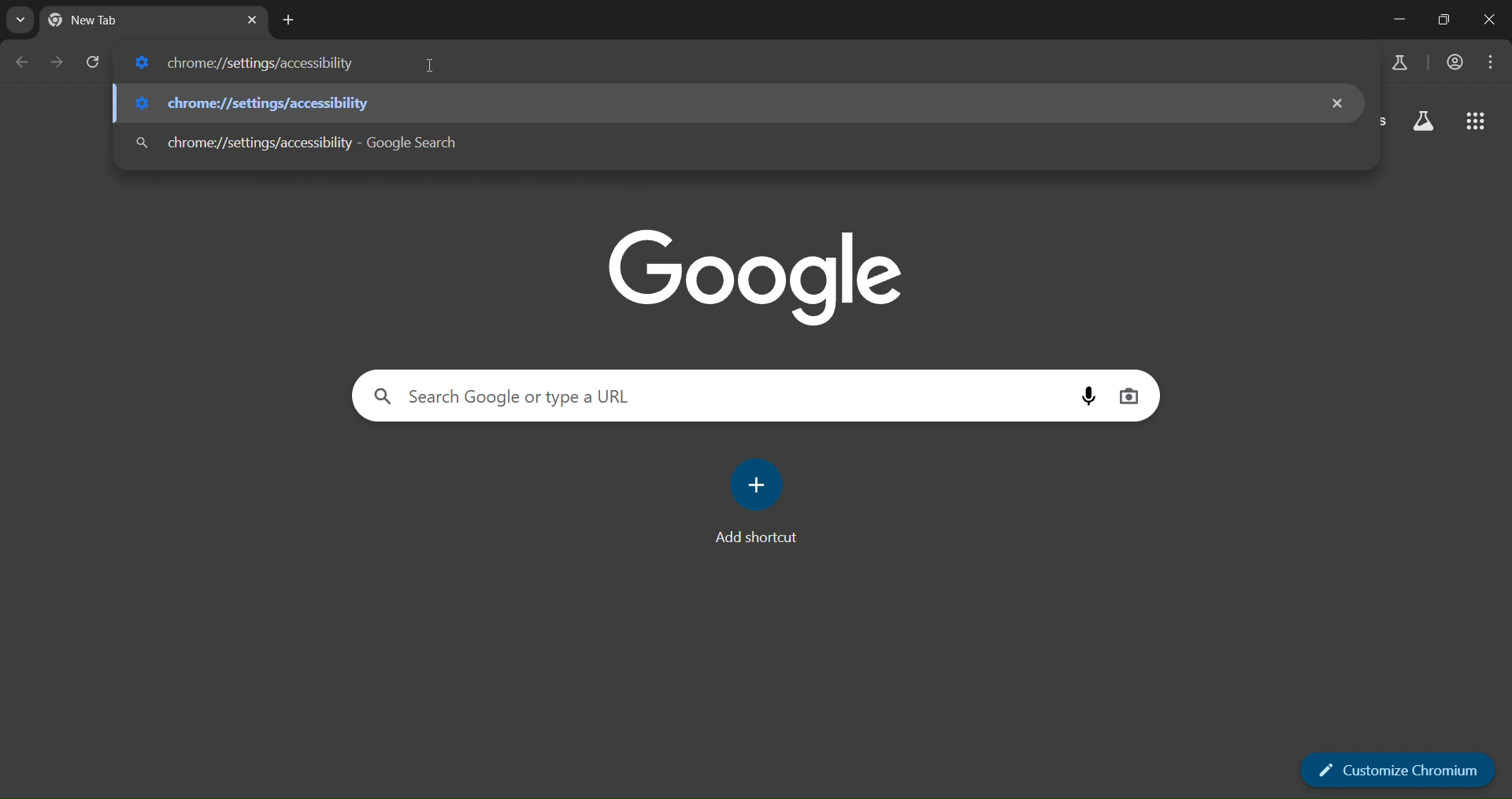  Describe the element at coordinates (759, 537) in the screenshot. I see `Add shortcut` at that location.